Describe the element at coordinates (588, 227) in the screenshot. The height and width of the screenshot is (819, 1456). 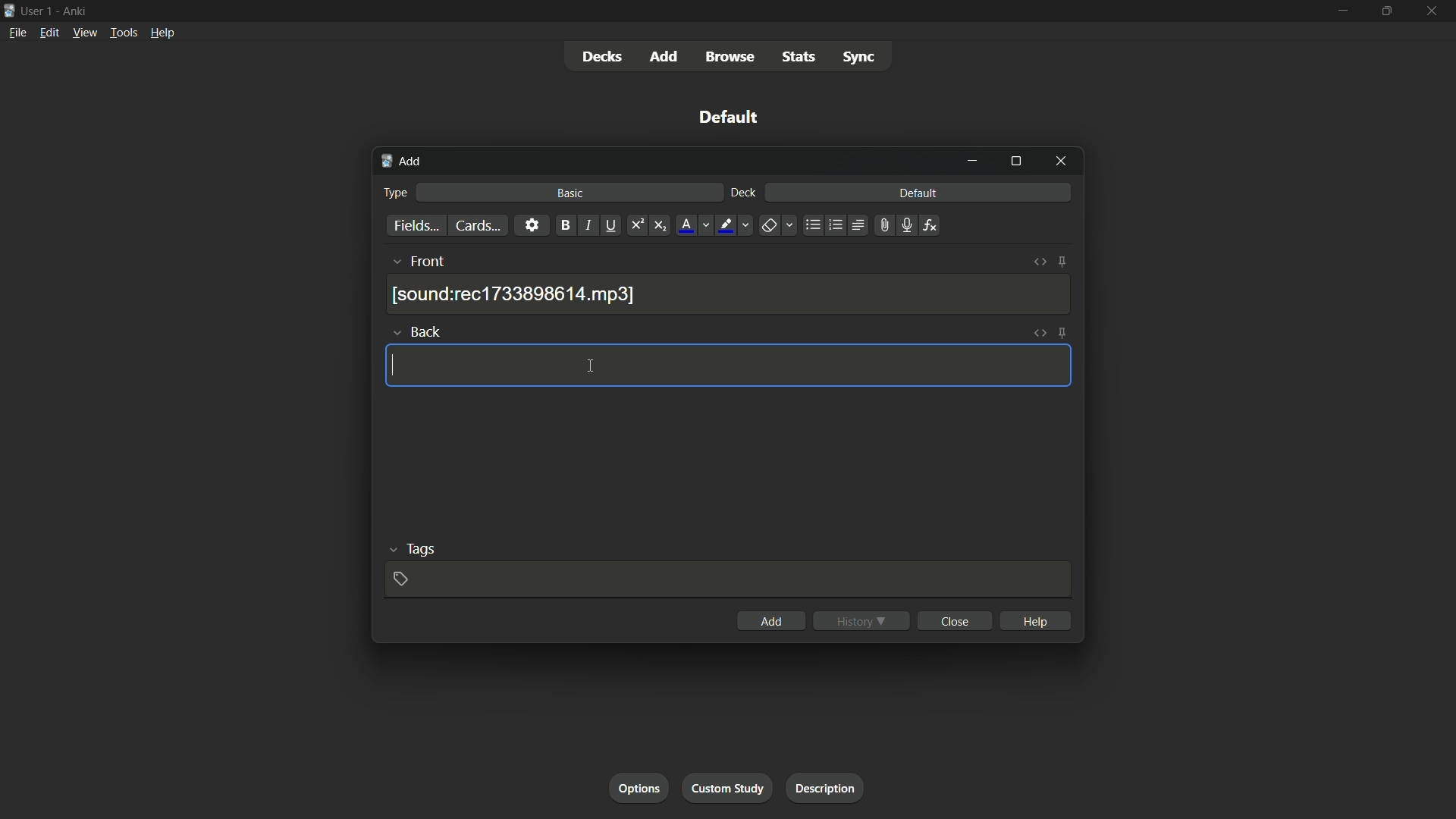
I see `italic` at that location.